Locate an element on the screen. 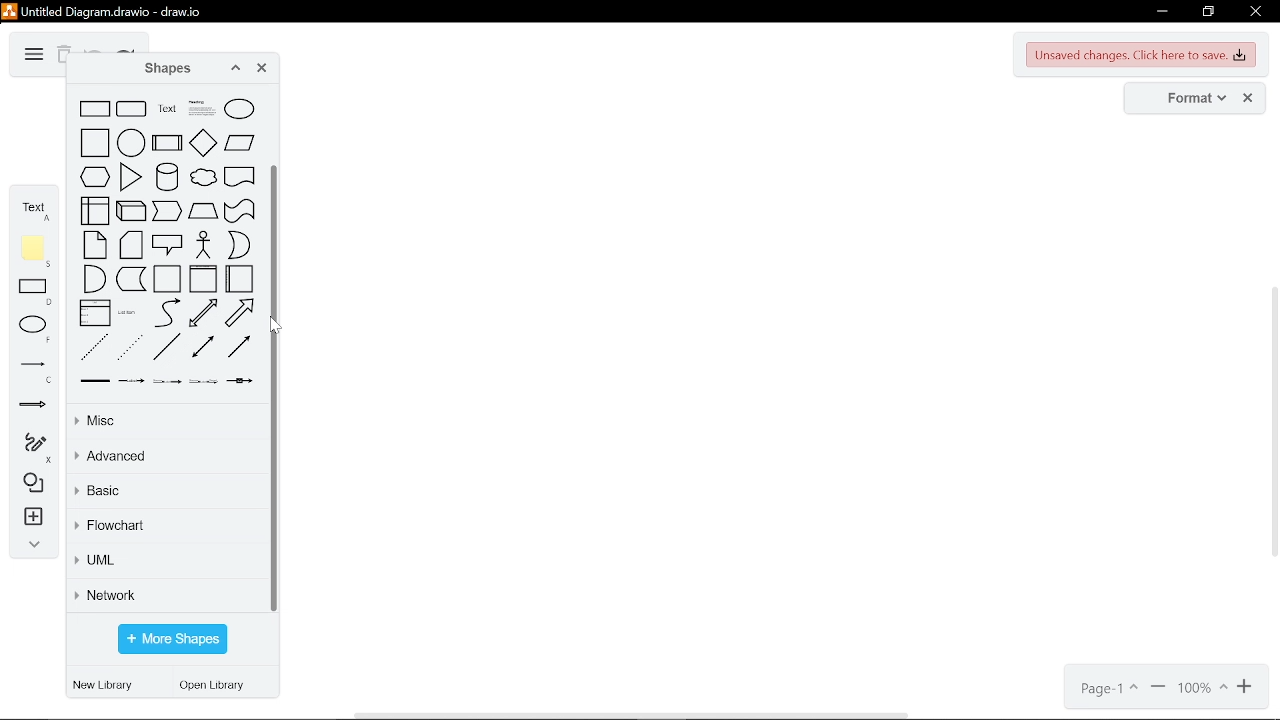 The image size is (1280, 720). vertical scrollbar is located at coordinates (278, 387).